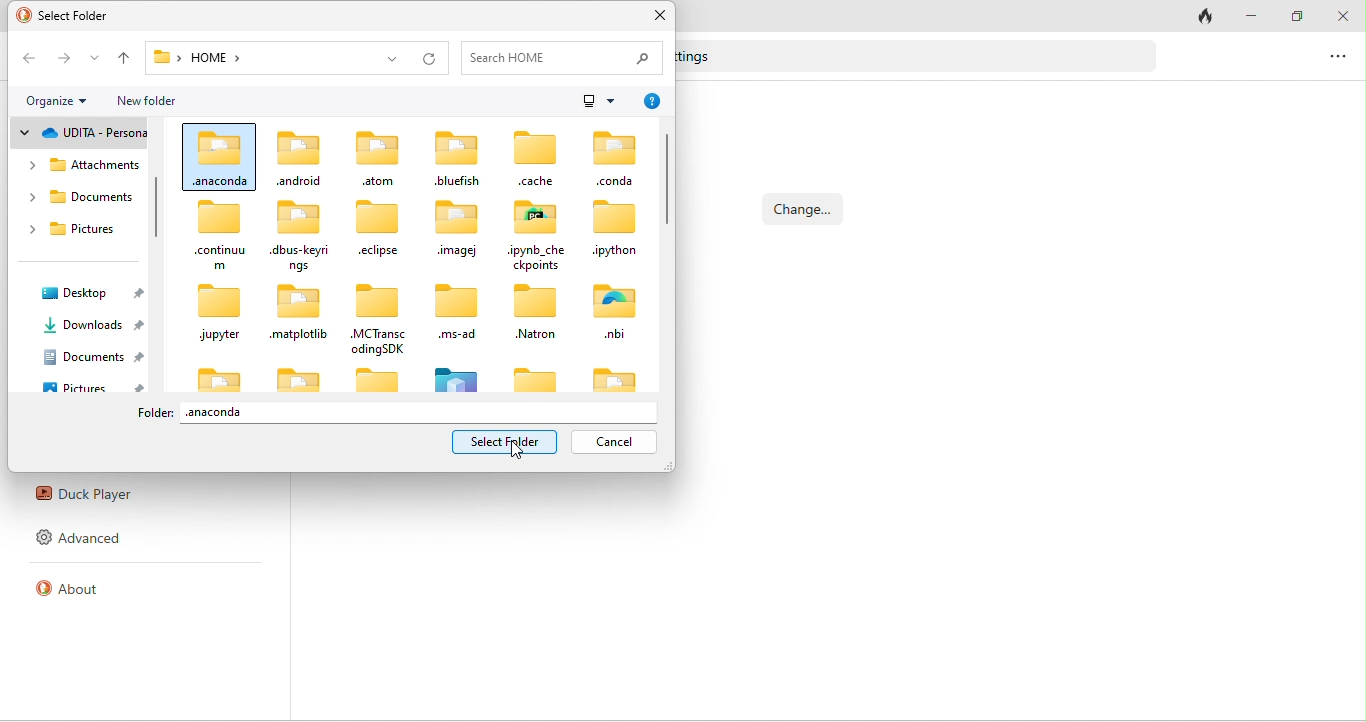 This screenshot has height=722, width=1366. Describe the element at coordinates (77, 132) in the screenshot. I see `udita personal` at that location.